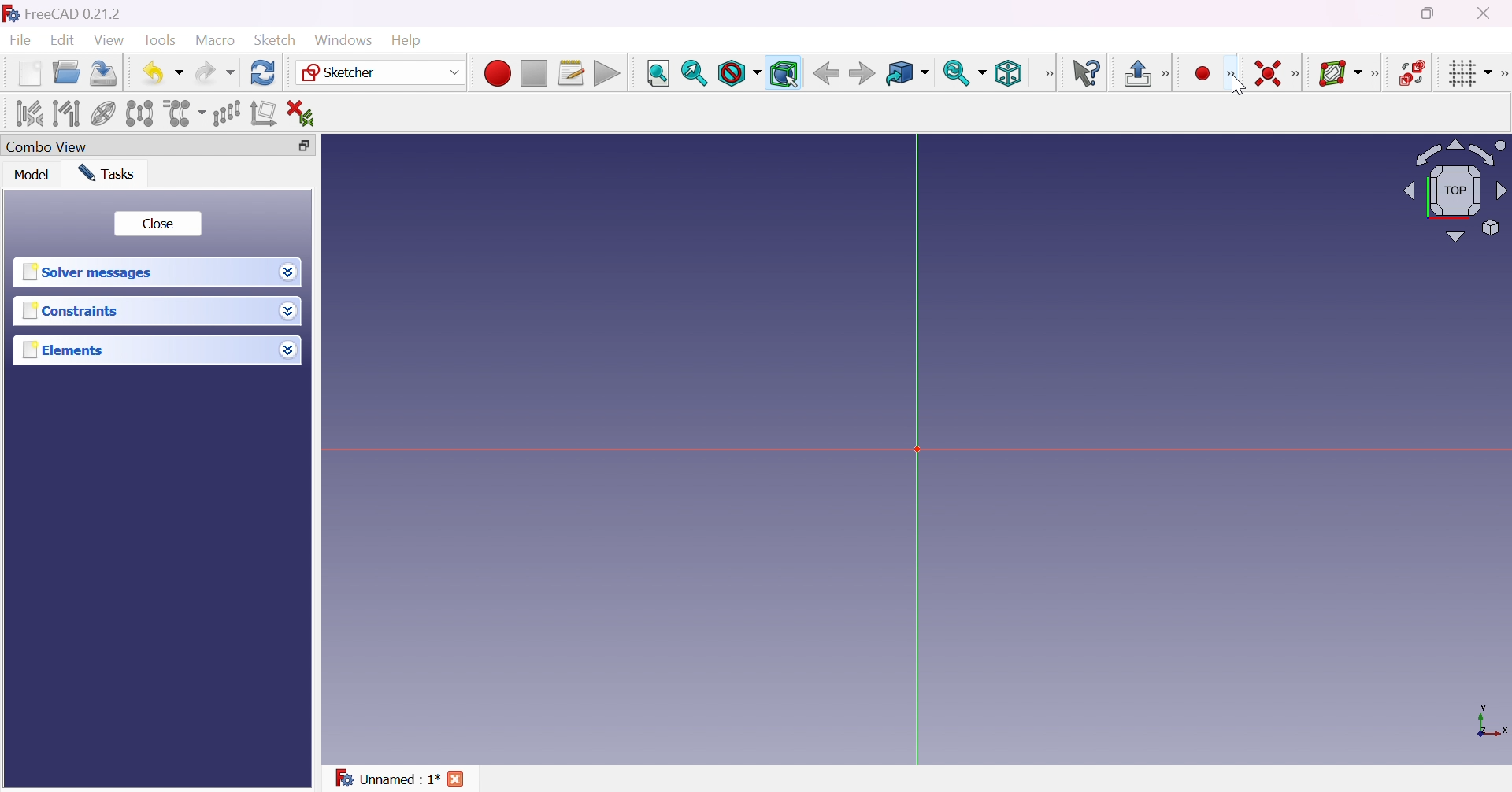 The height and width of the screenshot is (792, 1512). Describe the element at coordinates (343, 40) in the screenshot. I see `windows` at that location.